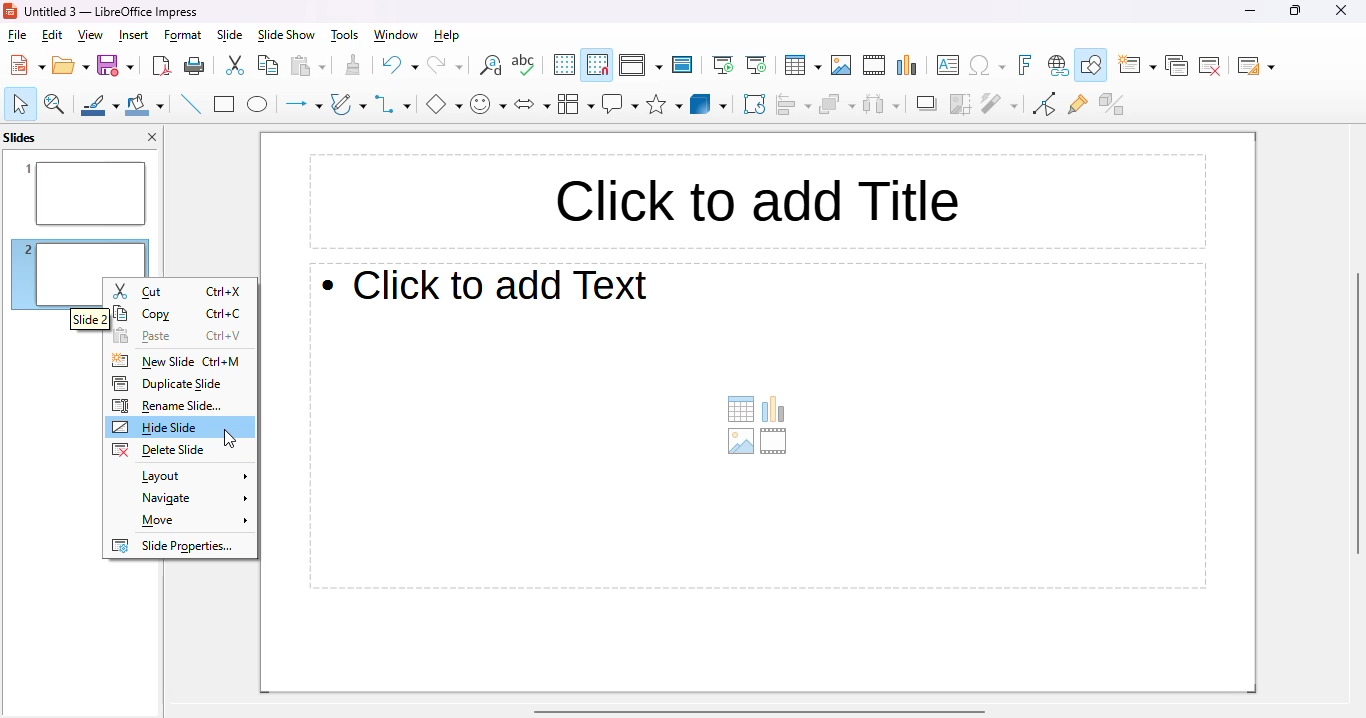 The image size is (1366, 718). Describe the element at coordinates (196, 67) in the screenshot. I see `print` at that location.